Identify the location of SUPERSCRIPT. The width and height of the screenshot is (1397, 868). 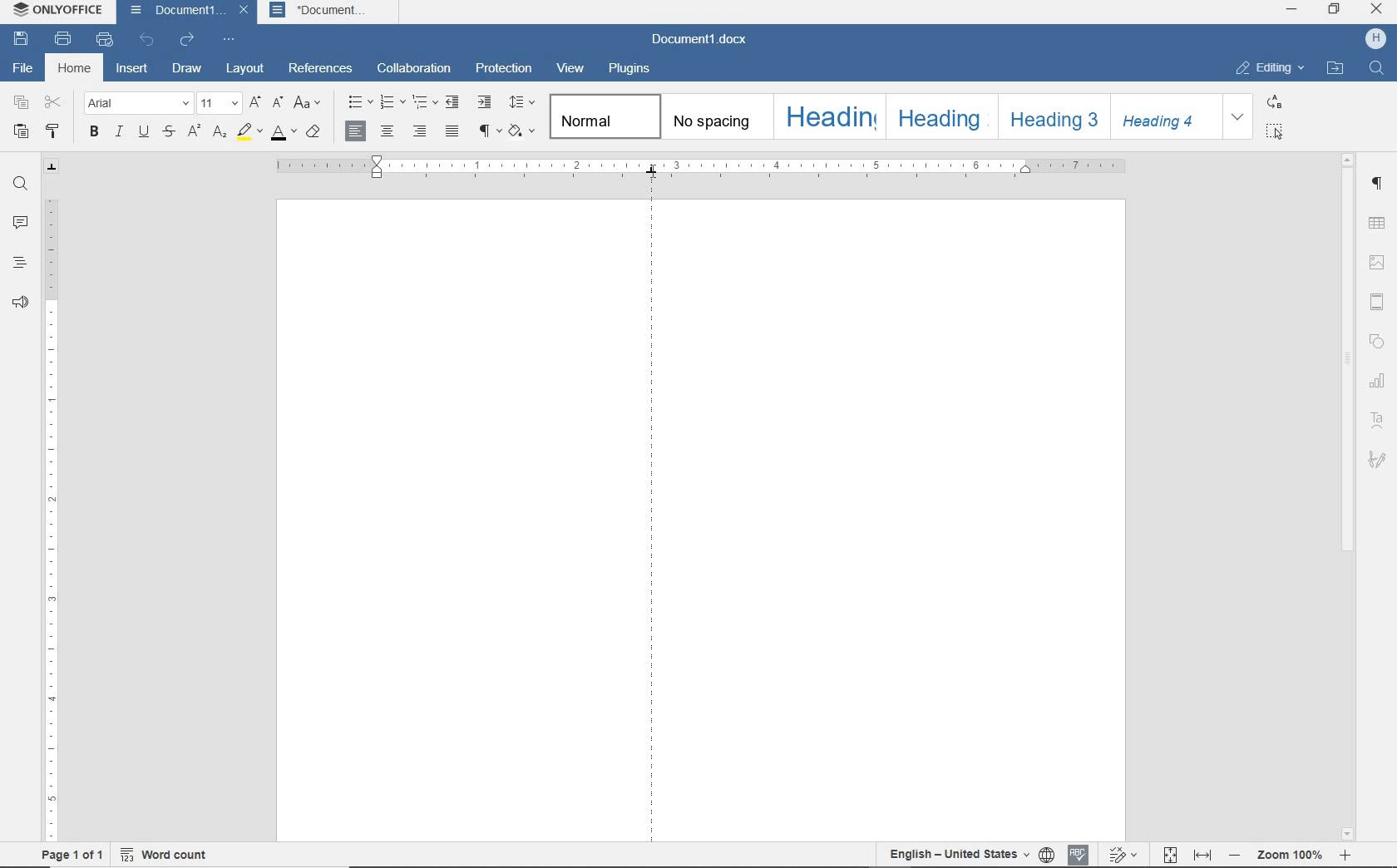
(193, 132).